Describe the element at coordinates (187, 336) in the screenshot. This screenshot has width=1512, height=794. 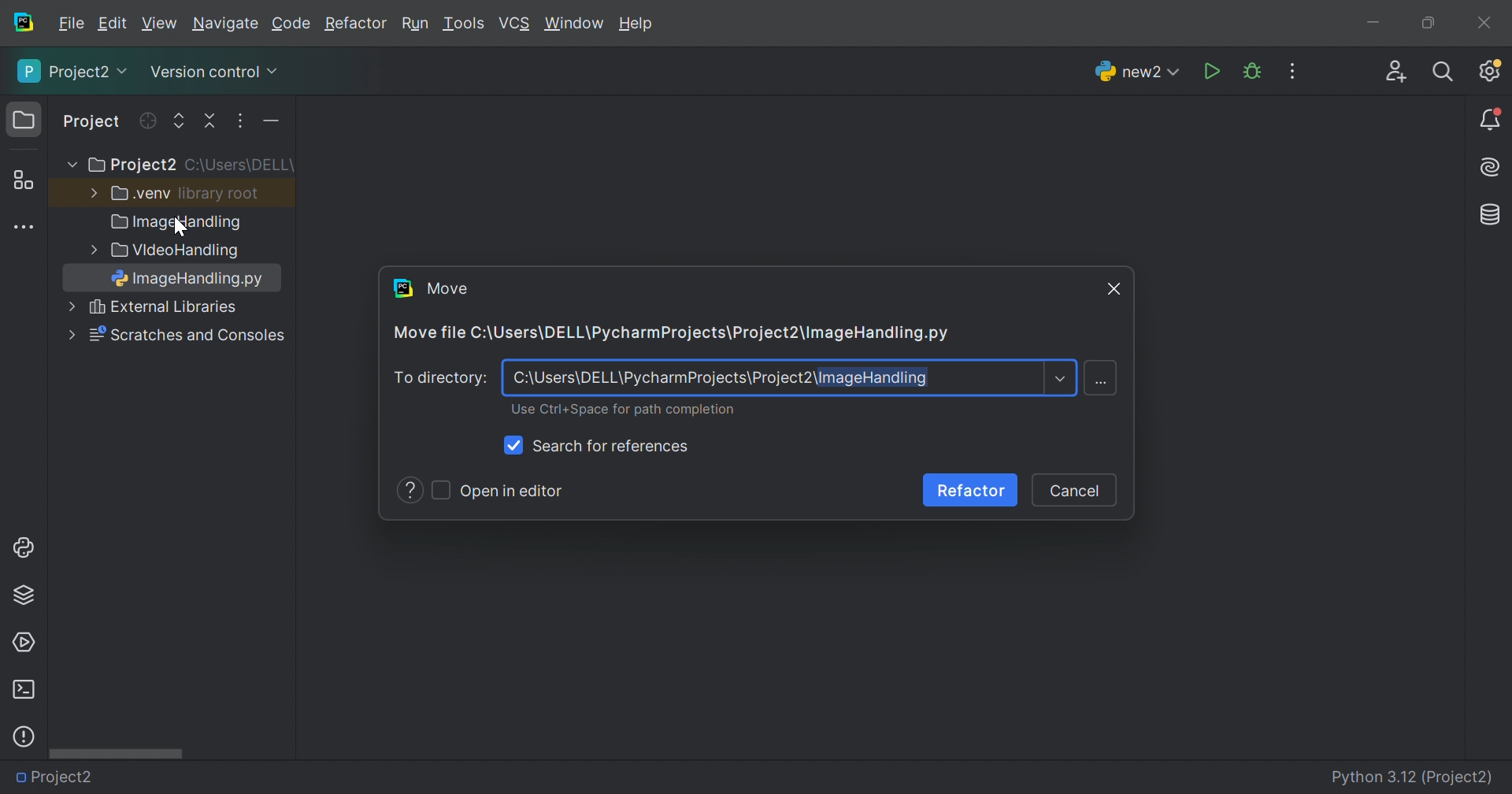
I see `External Libraries` at that location.